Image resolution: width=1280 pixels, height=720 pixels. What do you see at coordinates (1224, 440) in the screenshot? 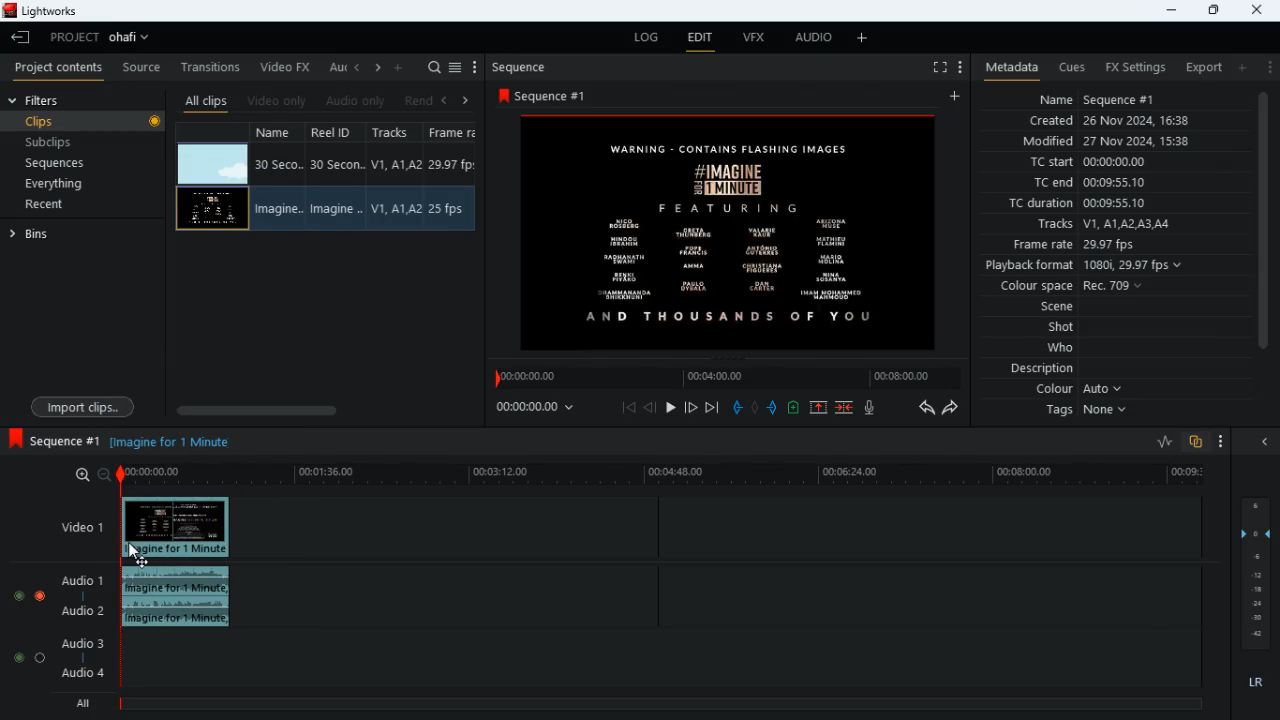
I see `more` at bounding box center [1224, 440].